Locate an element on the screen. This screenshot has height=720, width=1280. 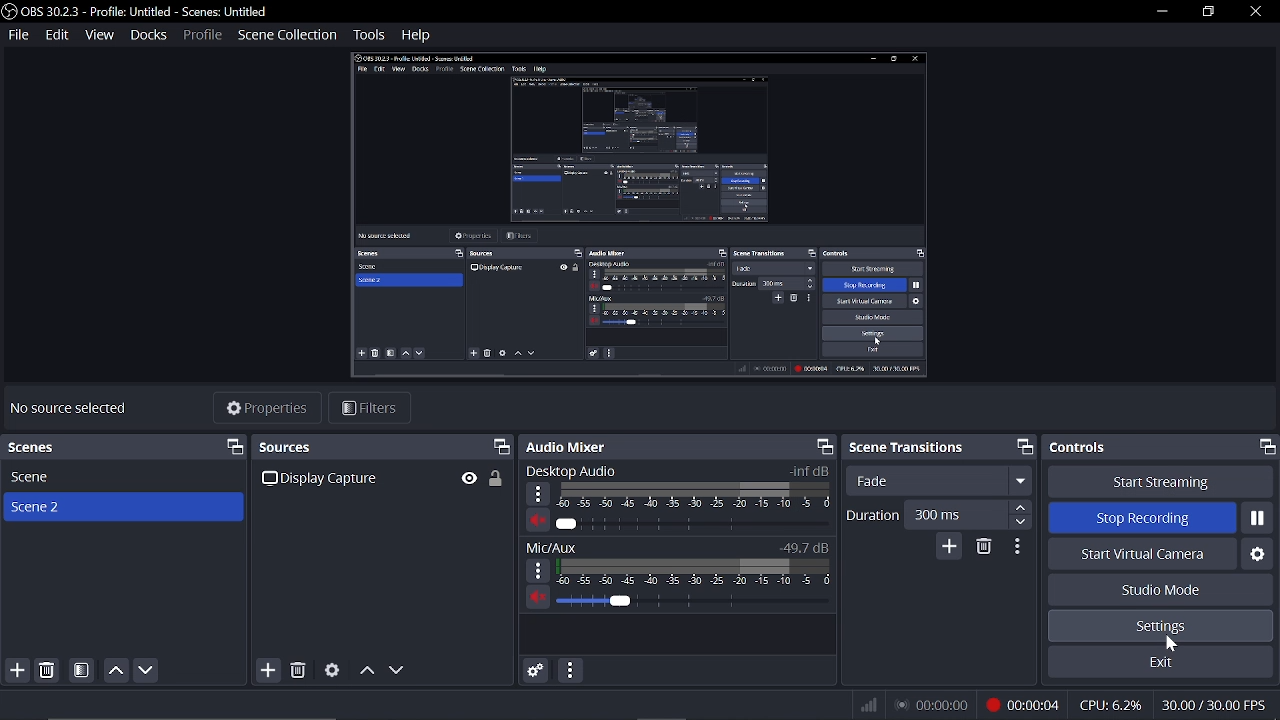
mute MIc/Aux is located at coordinates (539, 598).